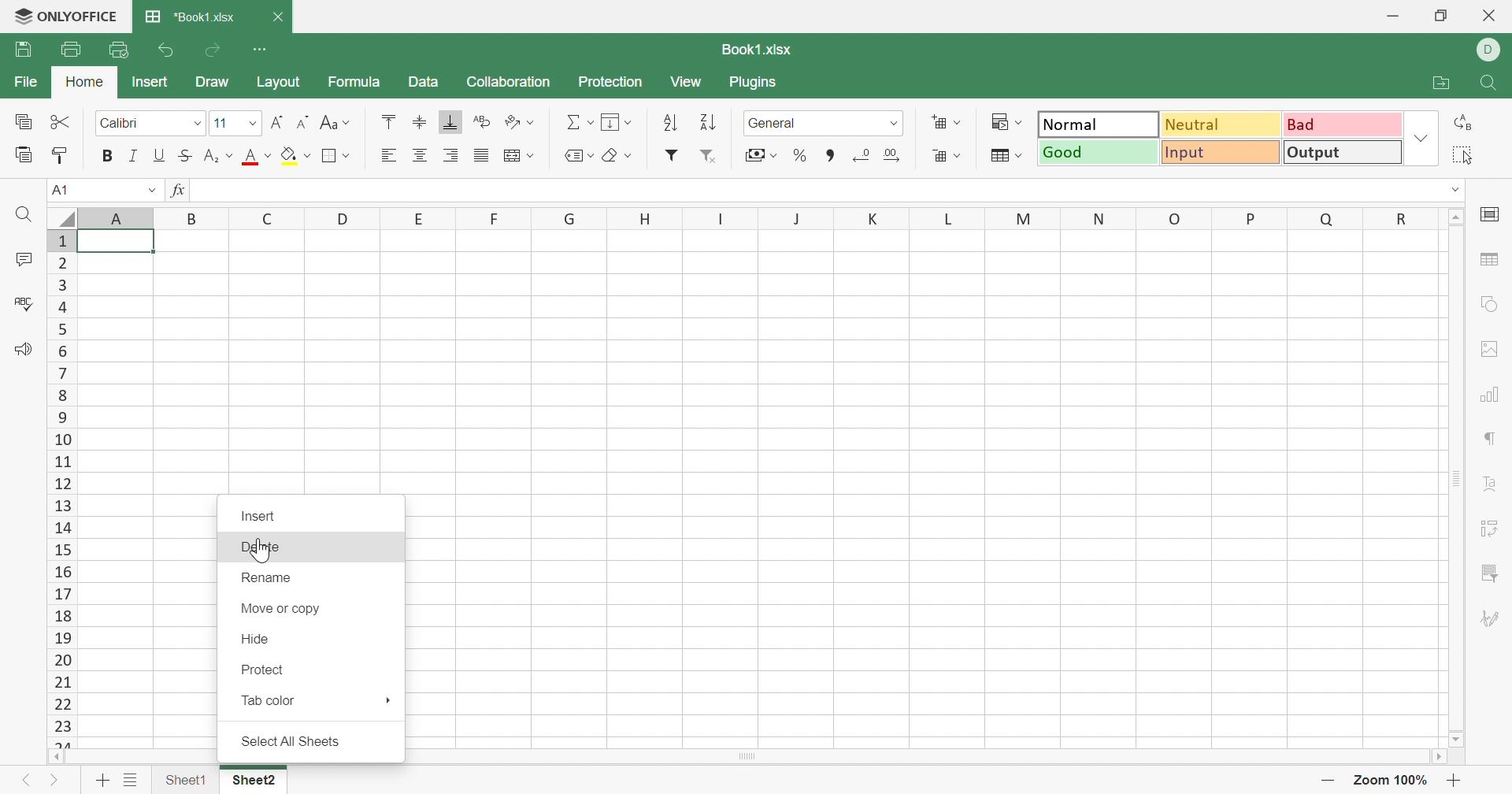 The image size is (1512, 794). What do you see at coordinates (183, 156) in the screenshot?
I see `Strikethrough` at bounding box center [183, 156].